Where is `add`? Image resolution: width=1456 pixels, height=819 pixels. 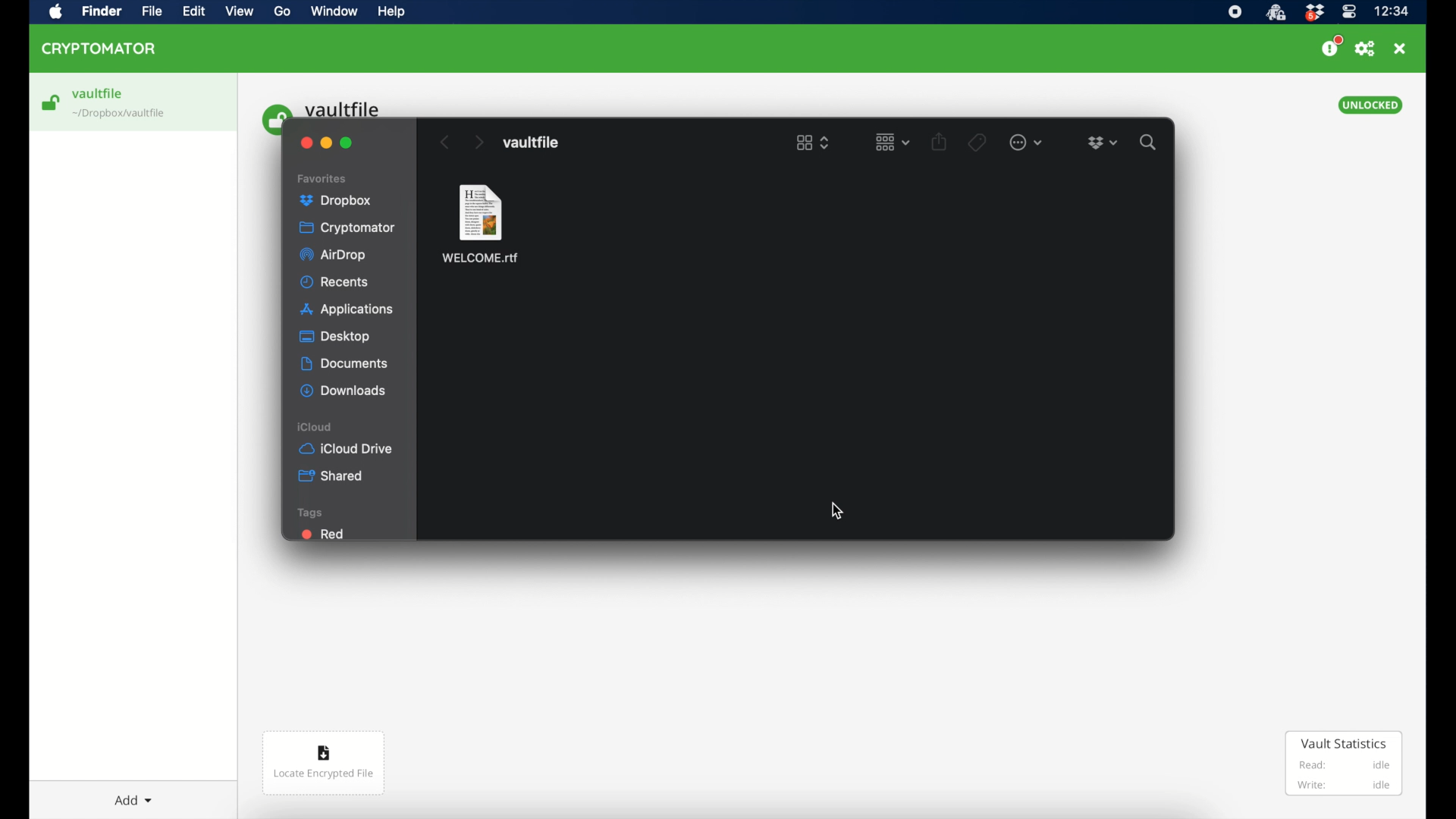 add is located at coordinates (132, 798).